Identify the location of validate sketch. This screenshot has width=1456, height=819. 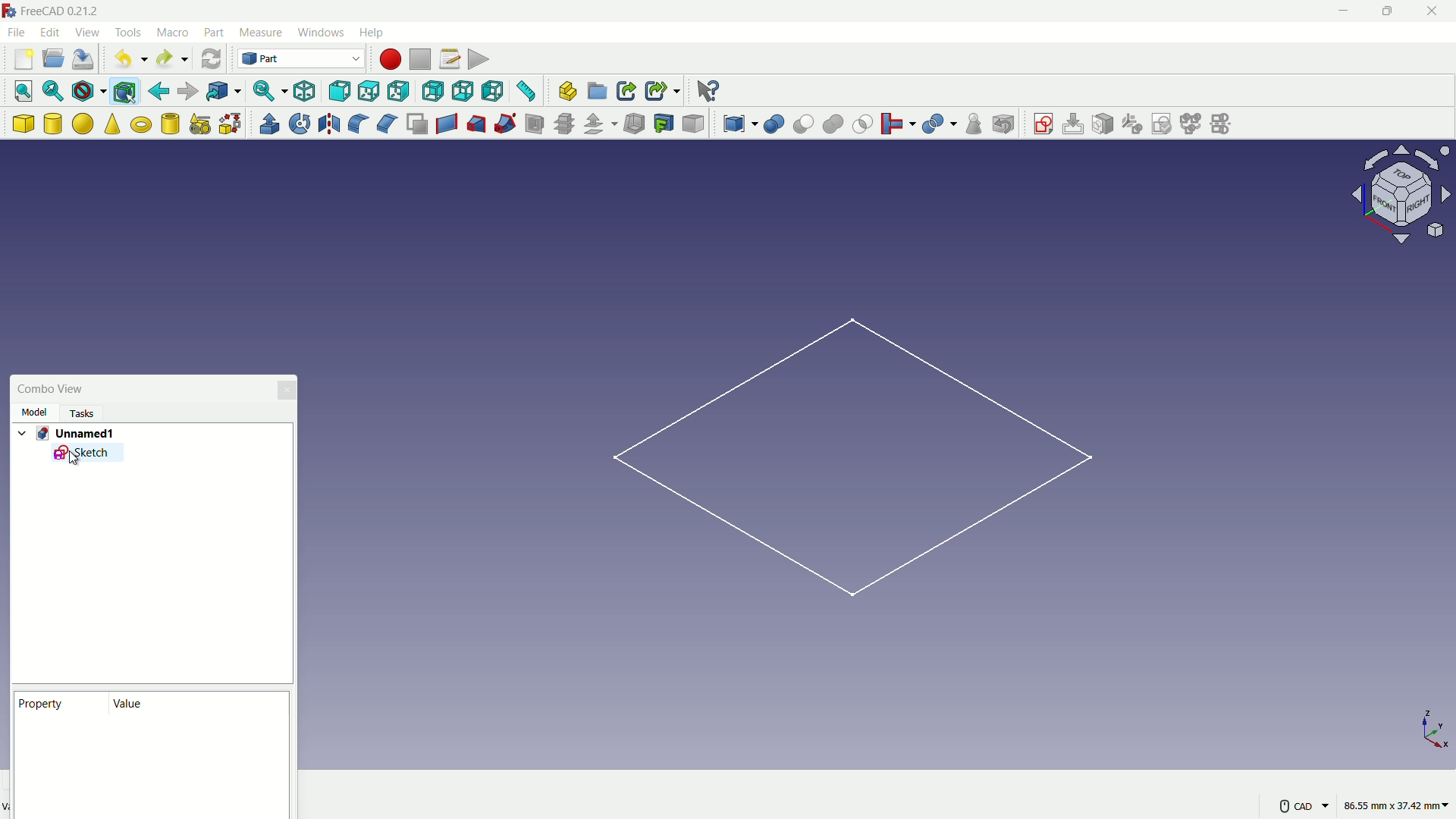
(1162, 124).